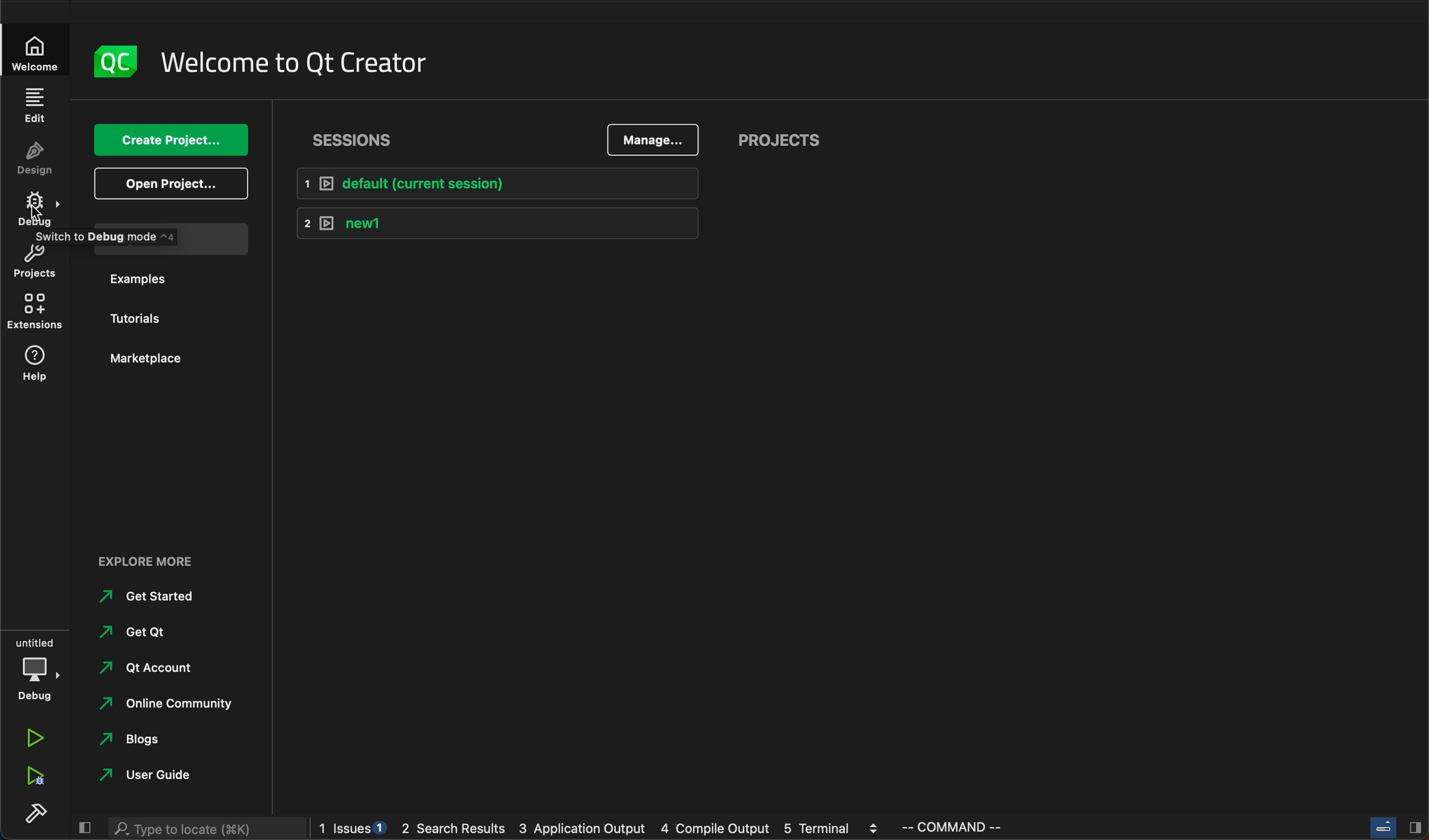 This screenshot has height=840, width=1429. I want to click on terminal, so click(832, 830).